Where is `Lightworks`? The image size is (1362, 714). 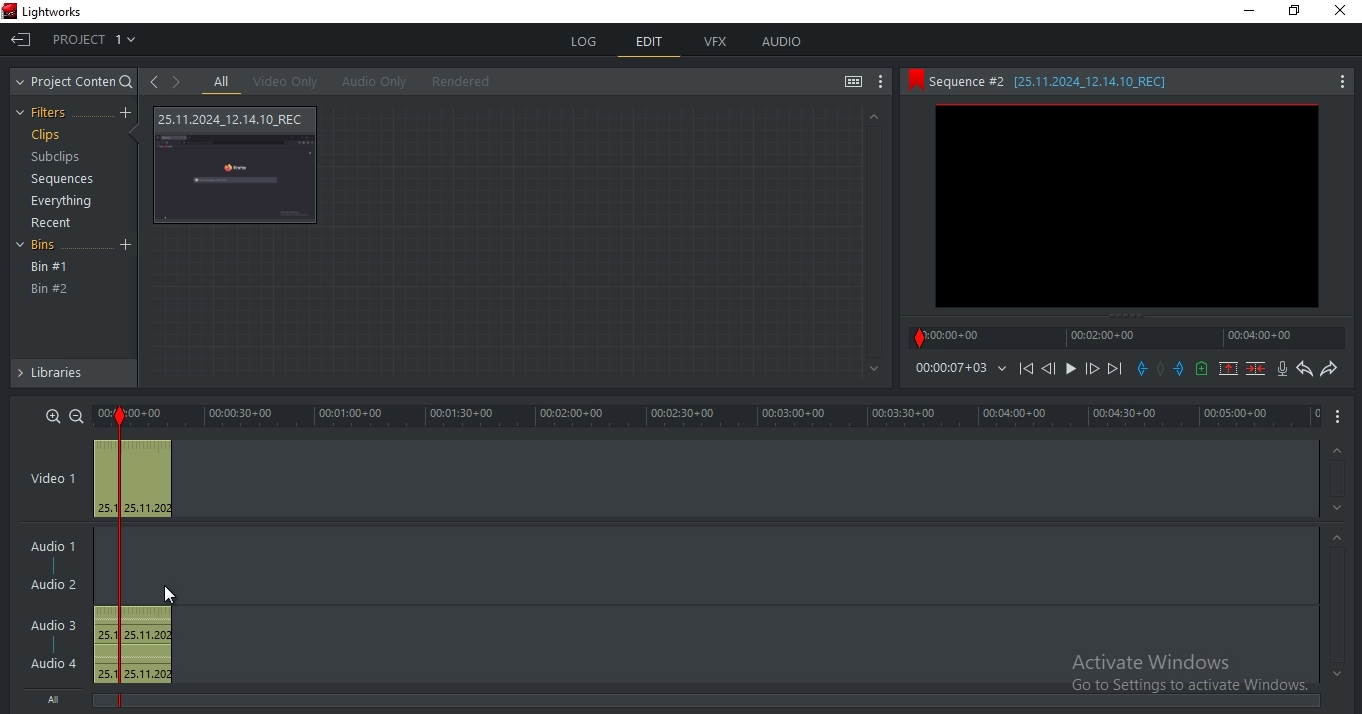
Lightworks is located at coordinates (65, 11).